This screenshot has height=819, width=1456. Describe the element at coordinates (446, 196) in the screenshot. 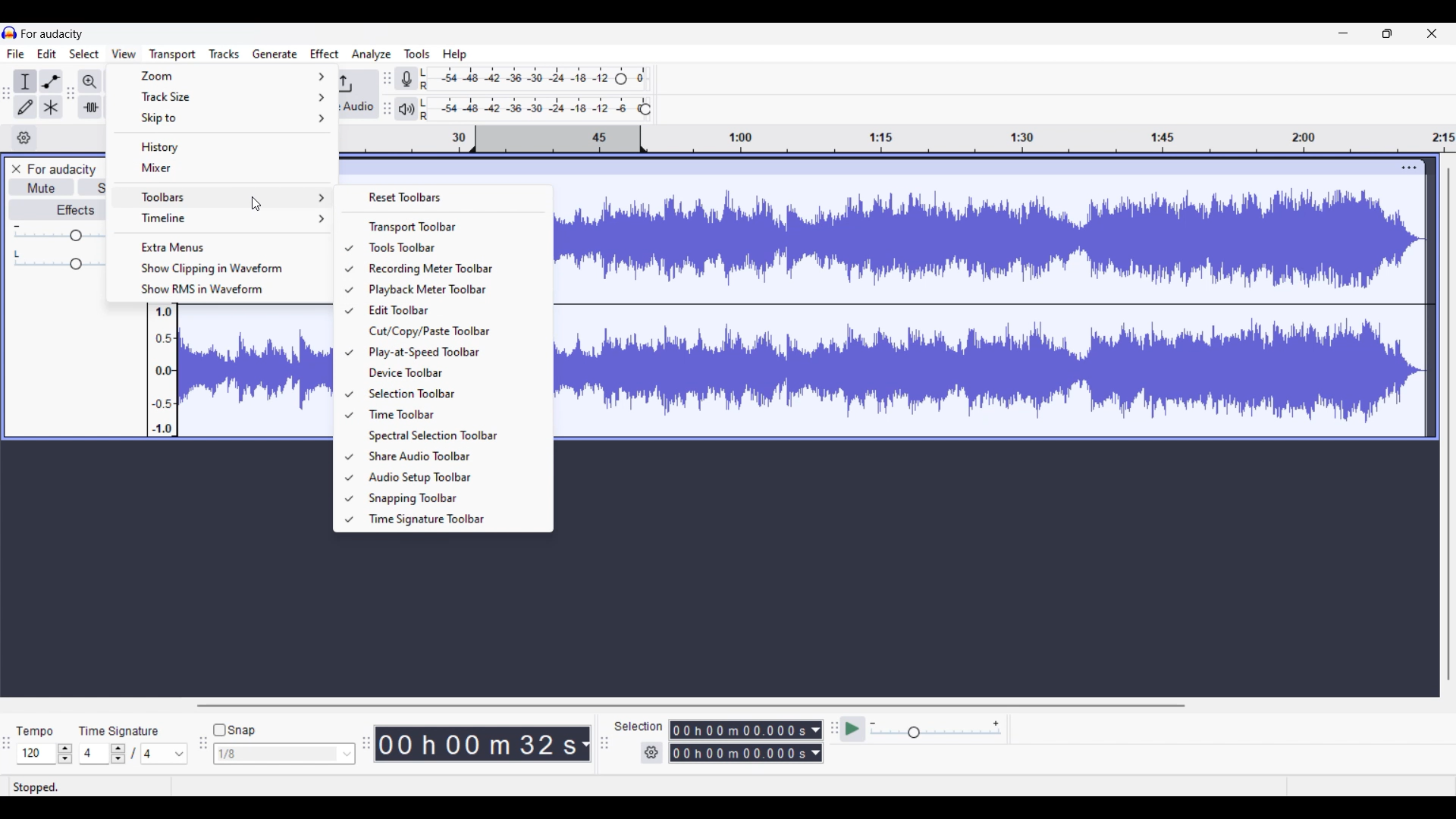

I see `Reset toolbars` at that location.